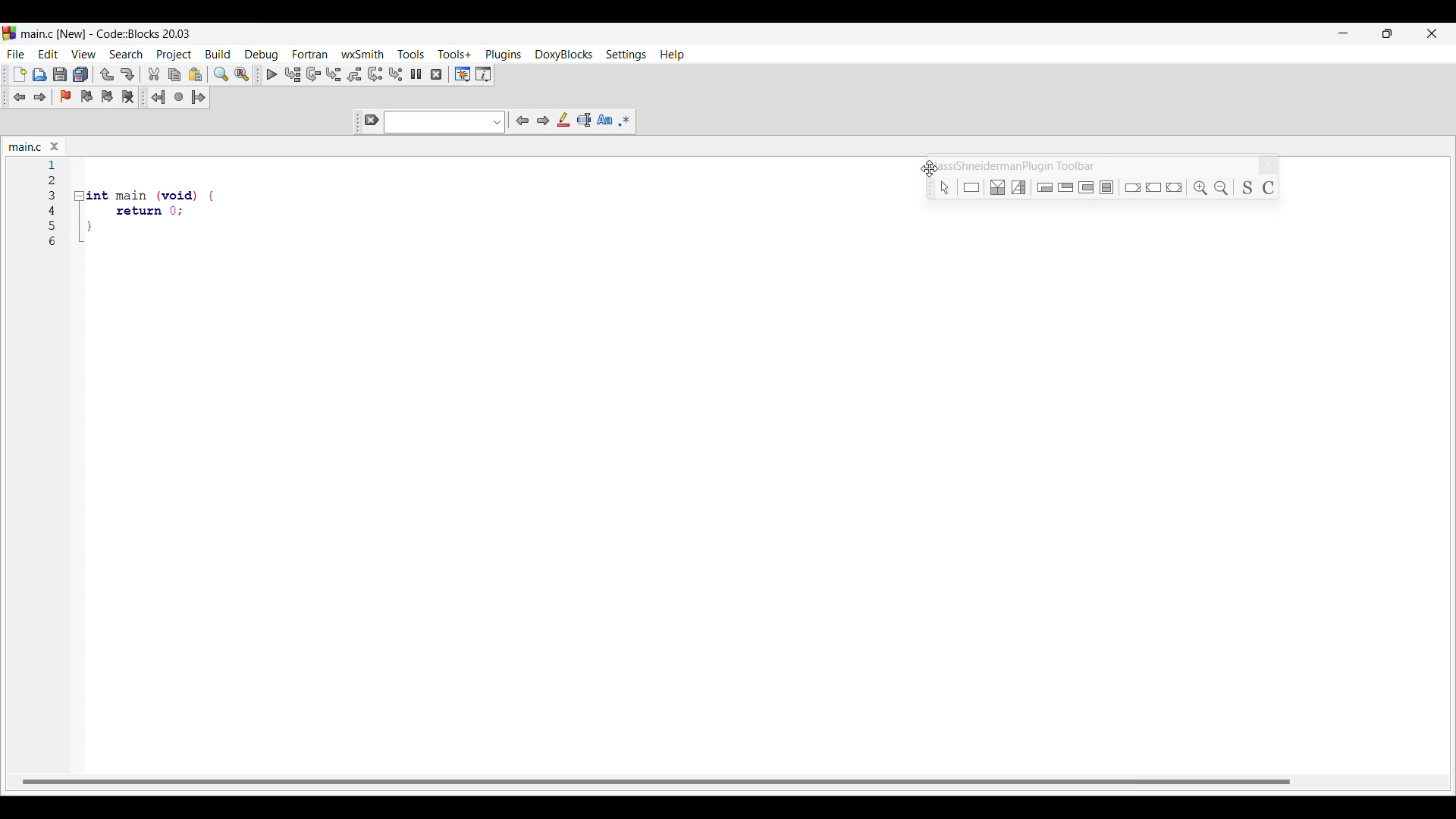 The image size is (1456, 819). What do you see at coordinates (372, 120) in the screenshot?
I see `Clear` at bounding box center [372, 120].